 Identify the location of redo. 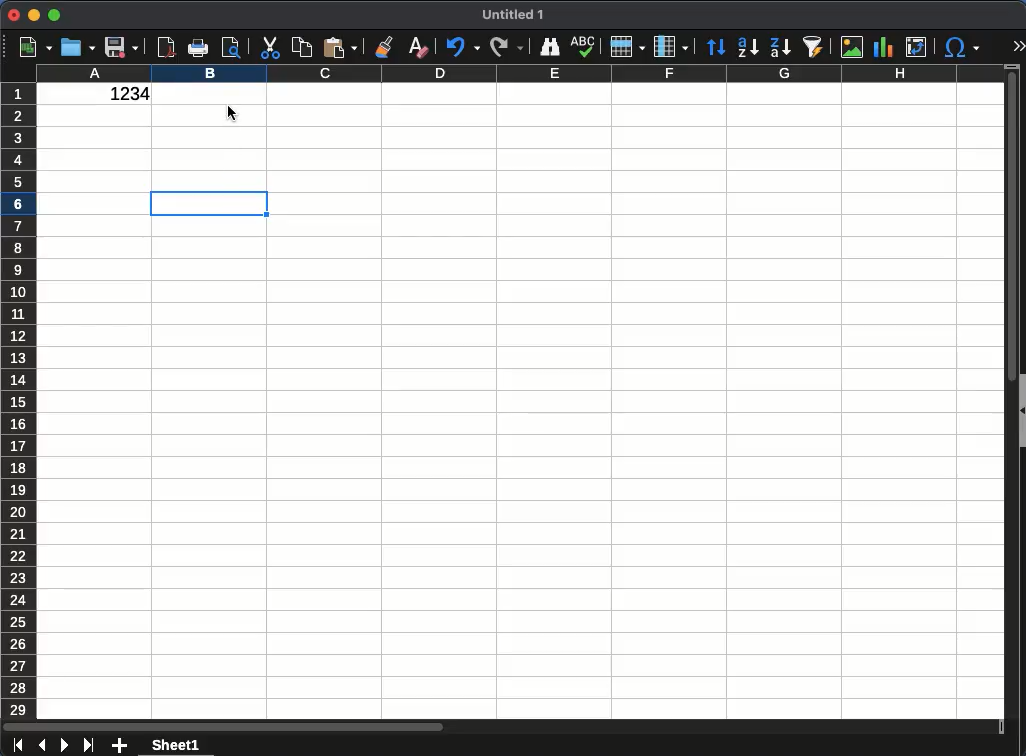
(506, 45).